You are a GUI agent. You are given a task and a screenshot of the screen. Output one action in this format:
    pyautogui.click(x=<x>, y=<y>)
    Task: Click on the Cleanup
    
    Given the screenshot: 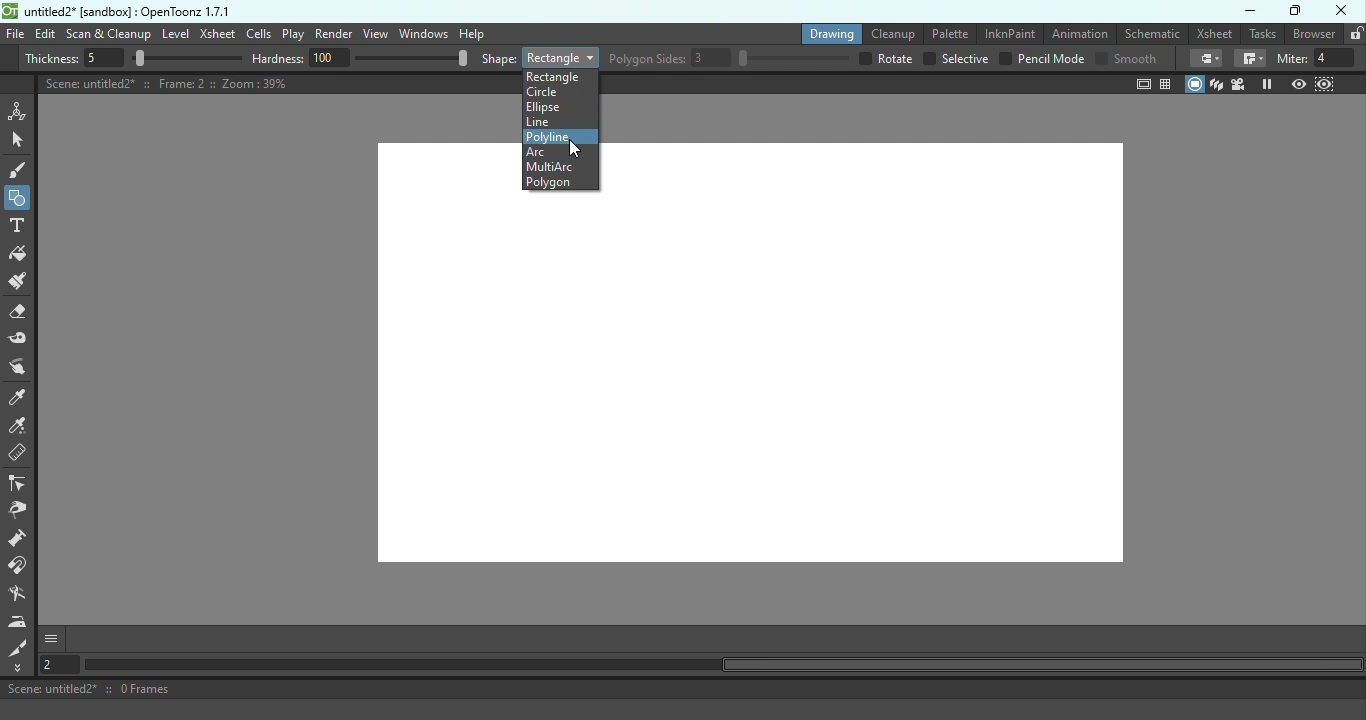 What is the action you would take?
    pyautogui.click(x=891, y=32)
    